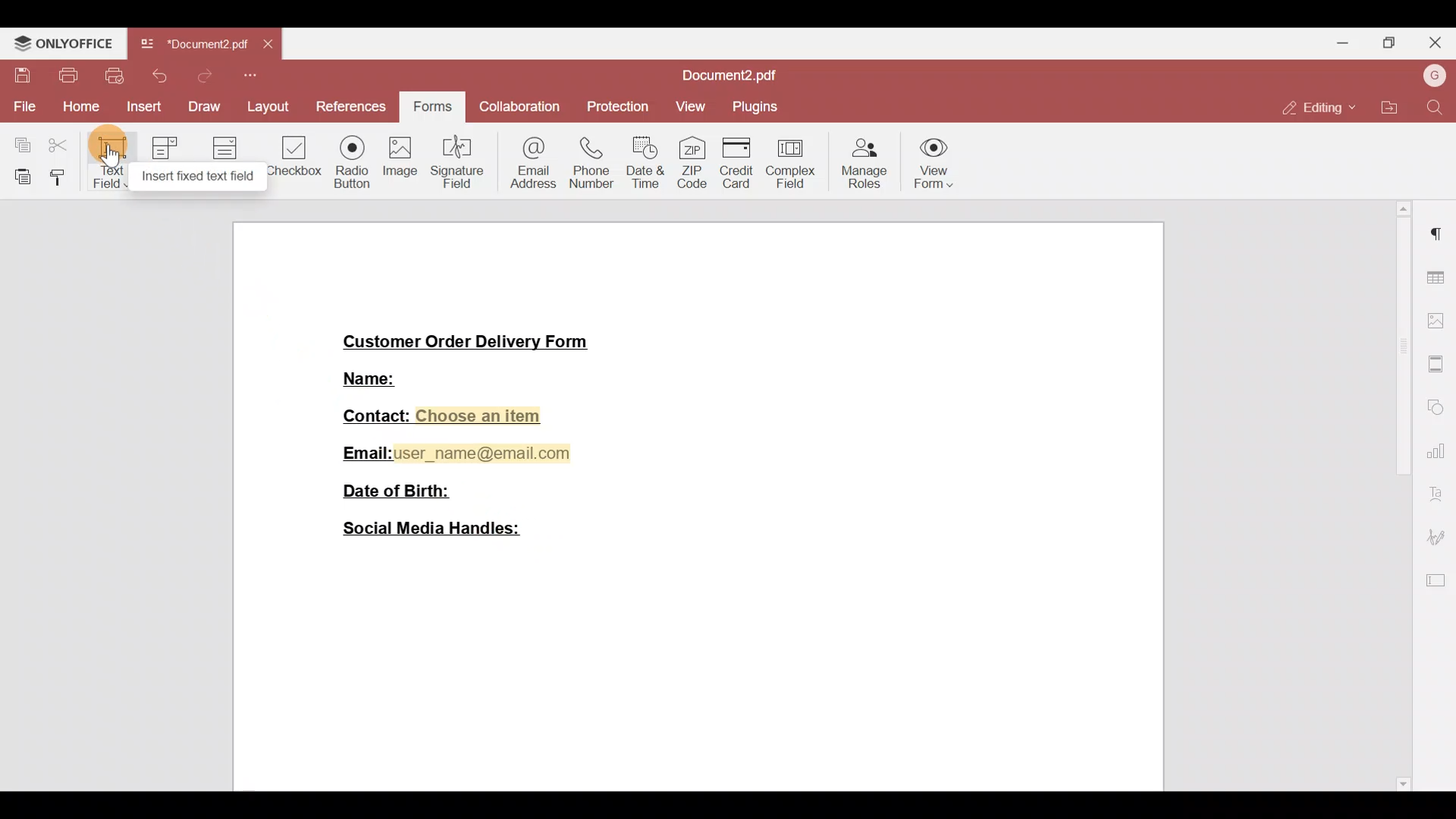 The height and width of the screenshot is (819, 1456). Describe the element at coordinates (347, 159) in the screenshot. I see `Radio button` at that location.